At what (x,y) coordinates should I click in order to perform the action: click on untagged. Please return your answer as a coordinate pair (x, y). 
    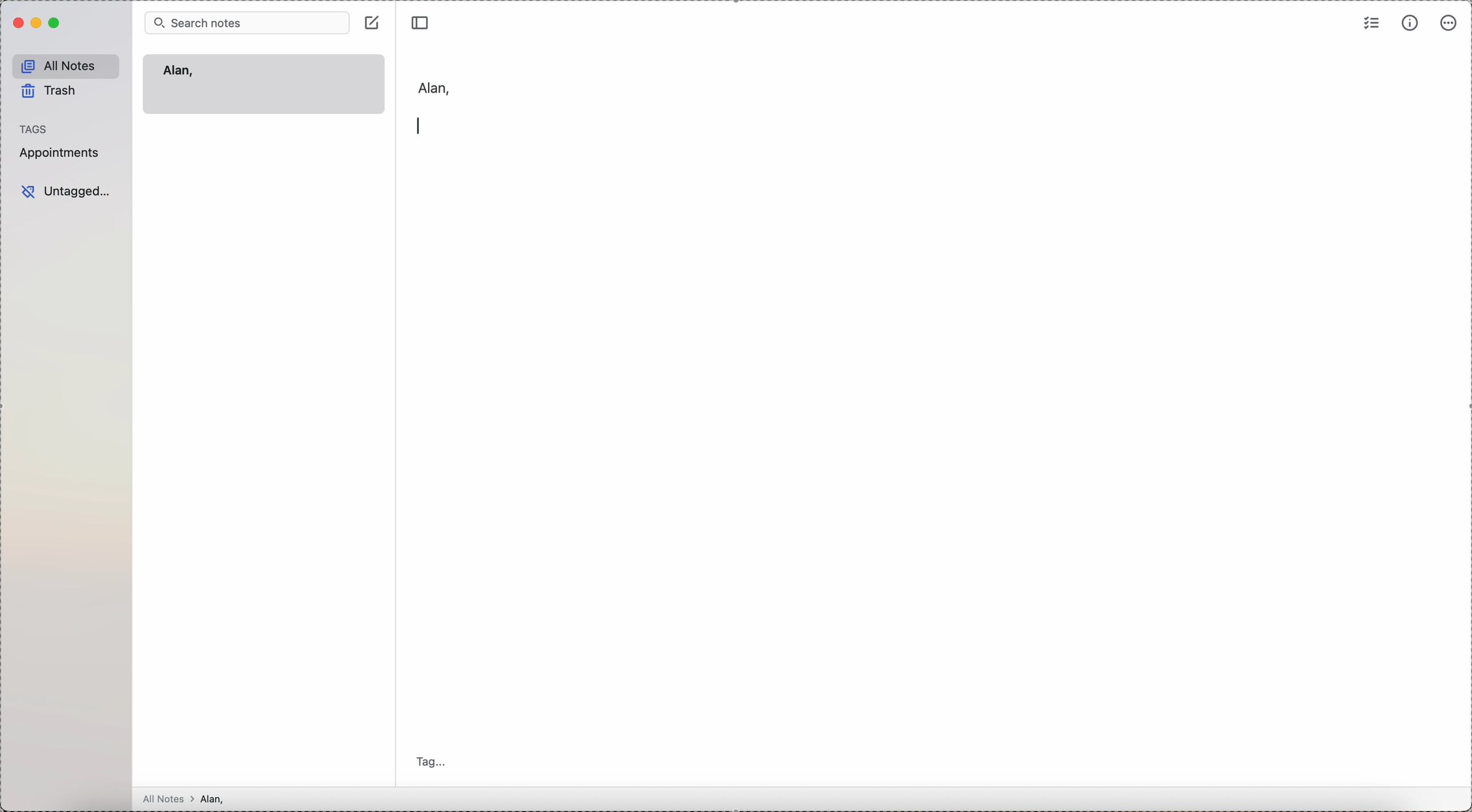
    Looking at the image, I should click on (66, 192).